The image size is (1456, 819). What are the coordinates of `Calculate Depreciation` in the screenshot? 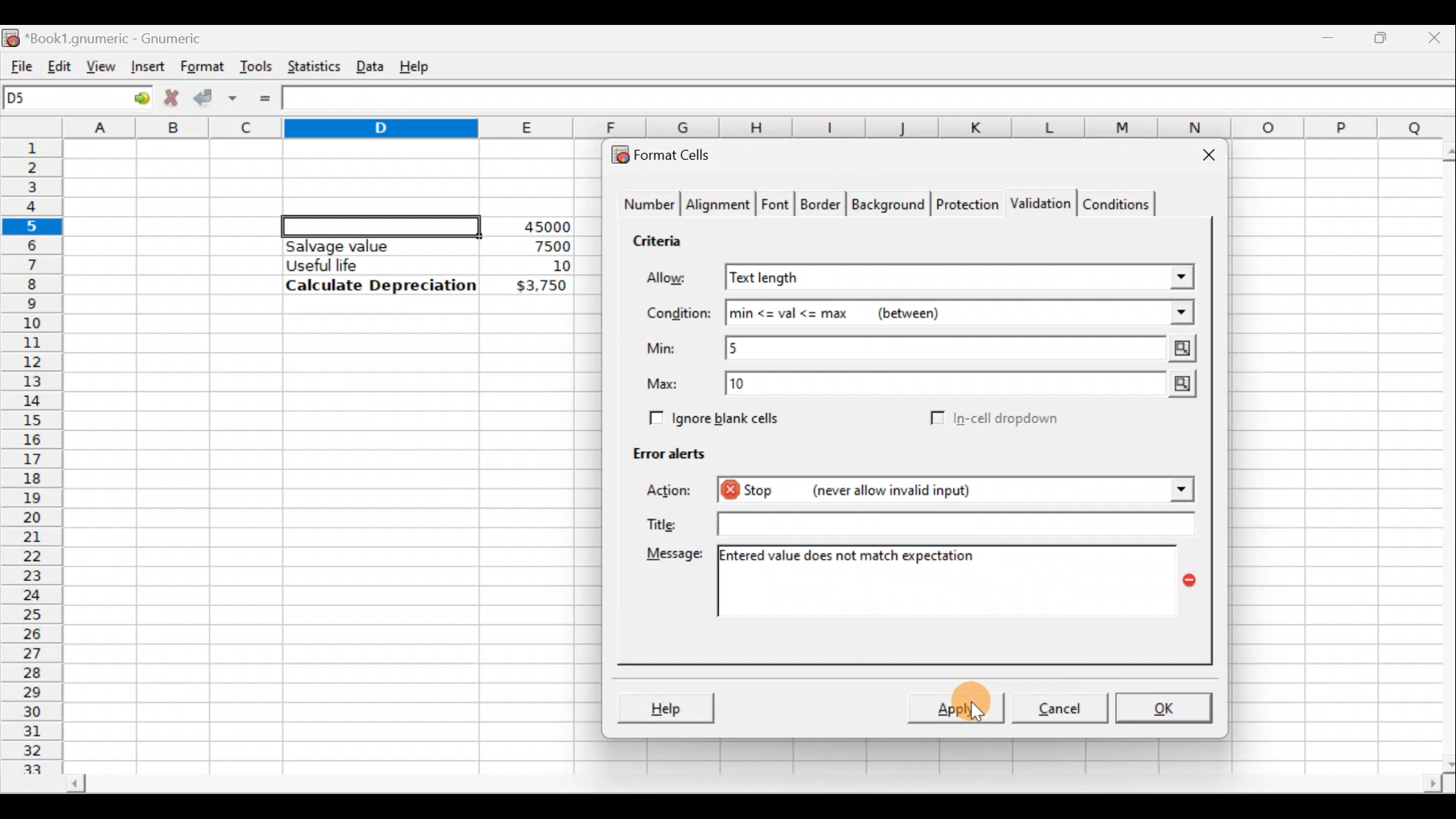 It's located at (381, 284).